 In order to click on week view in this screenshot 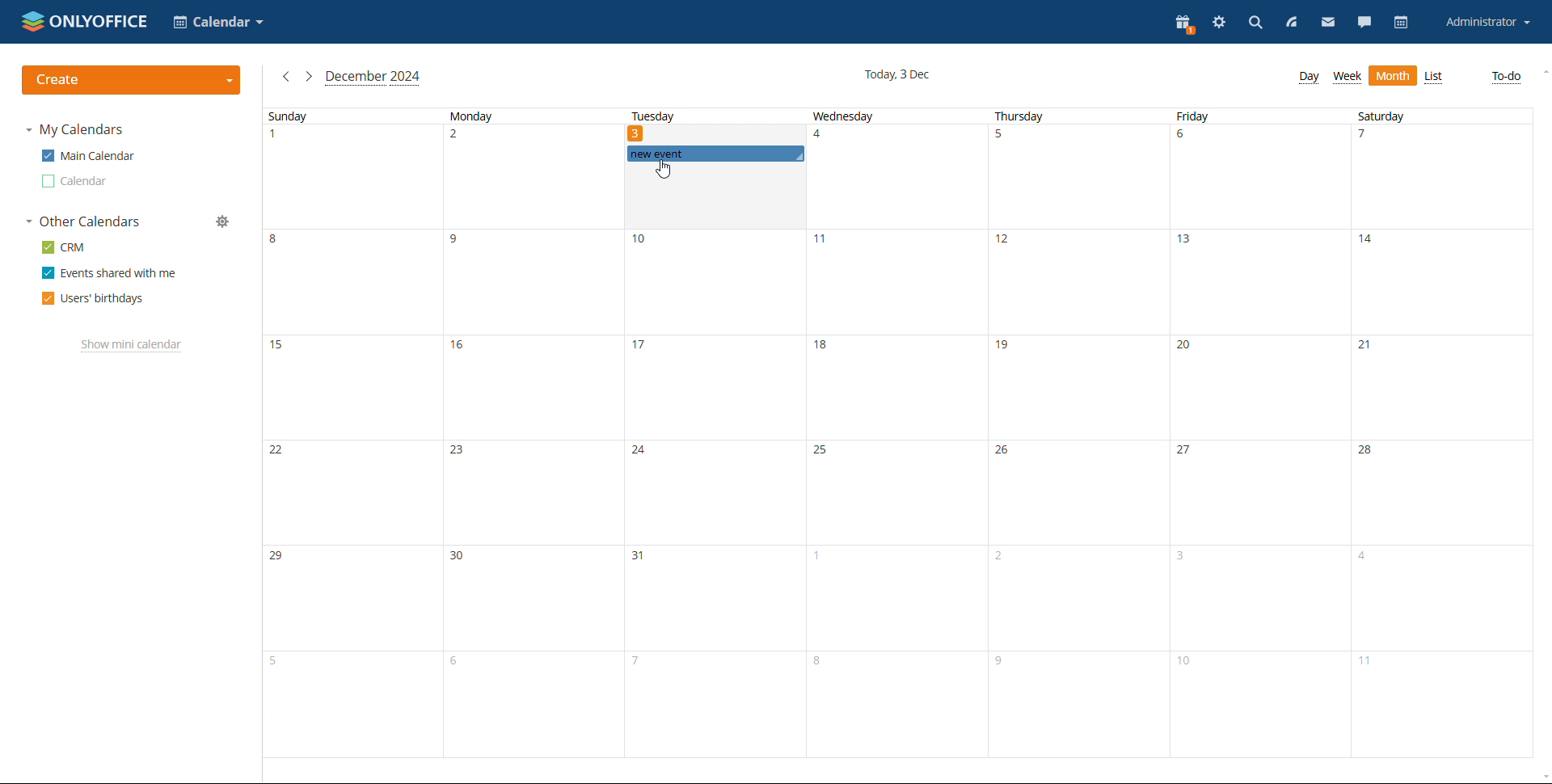, I will do `click(1347, 77)`.